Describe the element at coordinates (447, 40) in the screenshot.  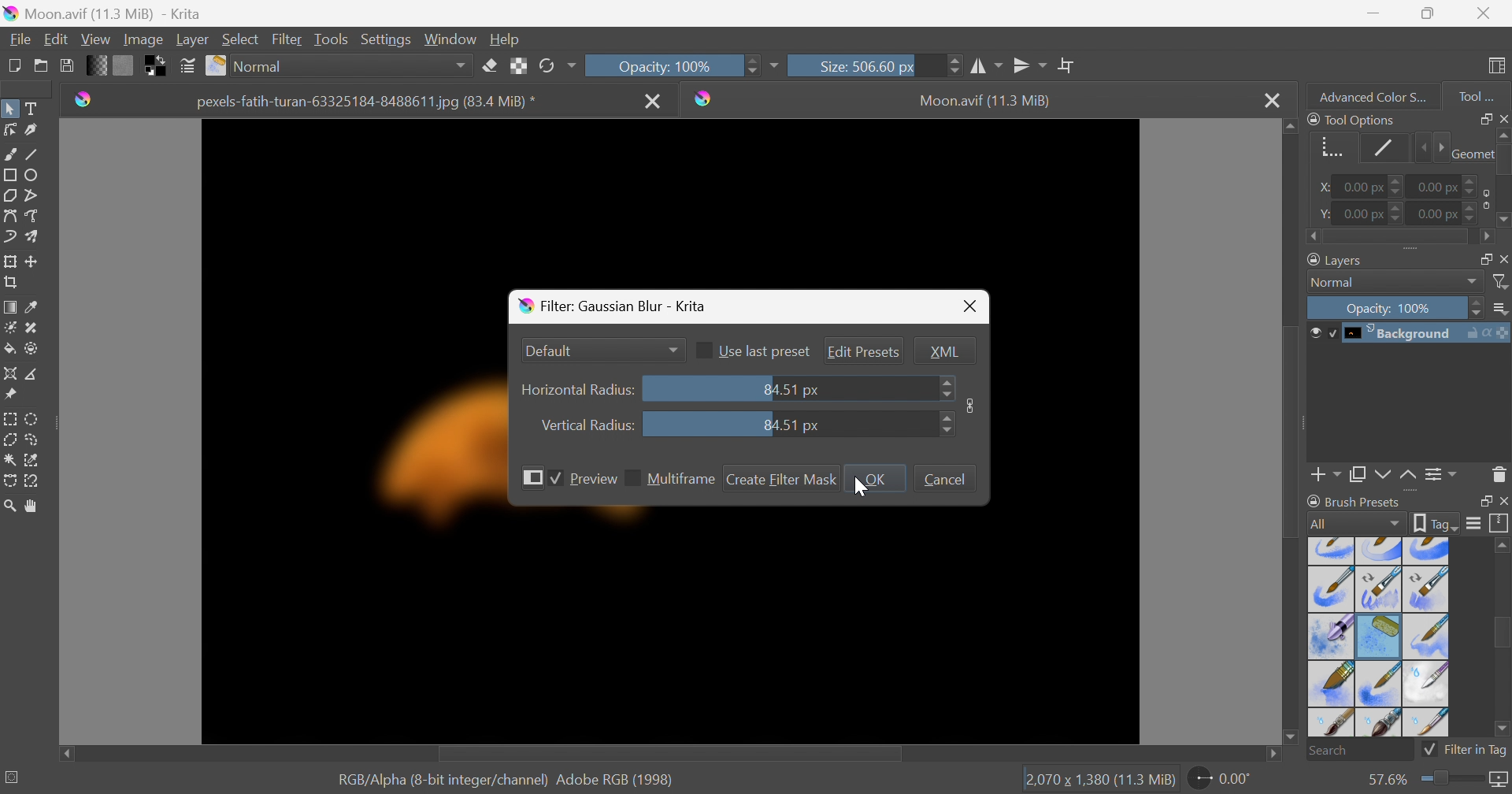
I see `Window` at that location.